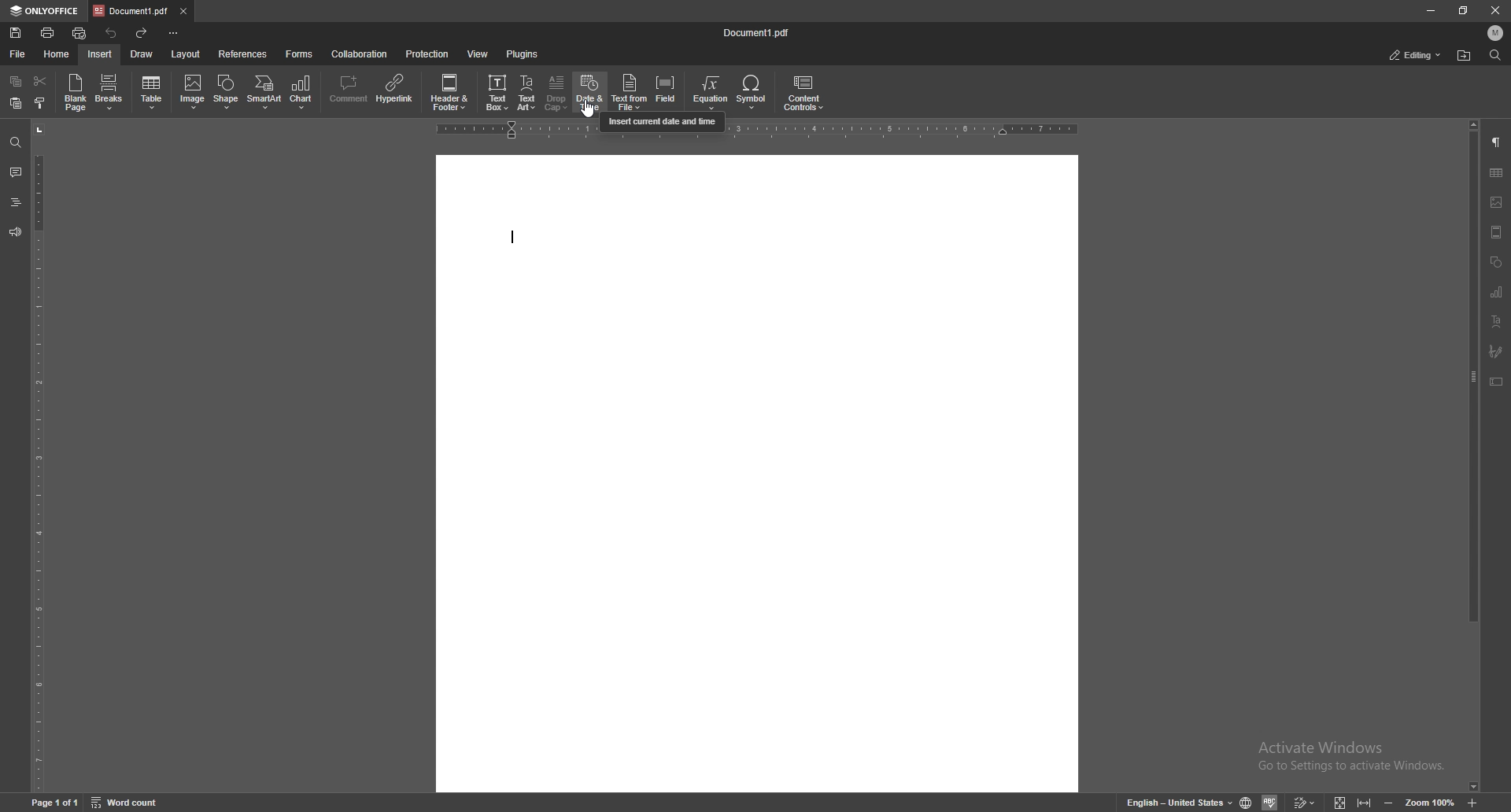  What do you see at coordinates (759, 34) in the screenshot?
I see `file name` at bounding box center [759, 34].